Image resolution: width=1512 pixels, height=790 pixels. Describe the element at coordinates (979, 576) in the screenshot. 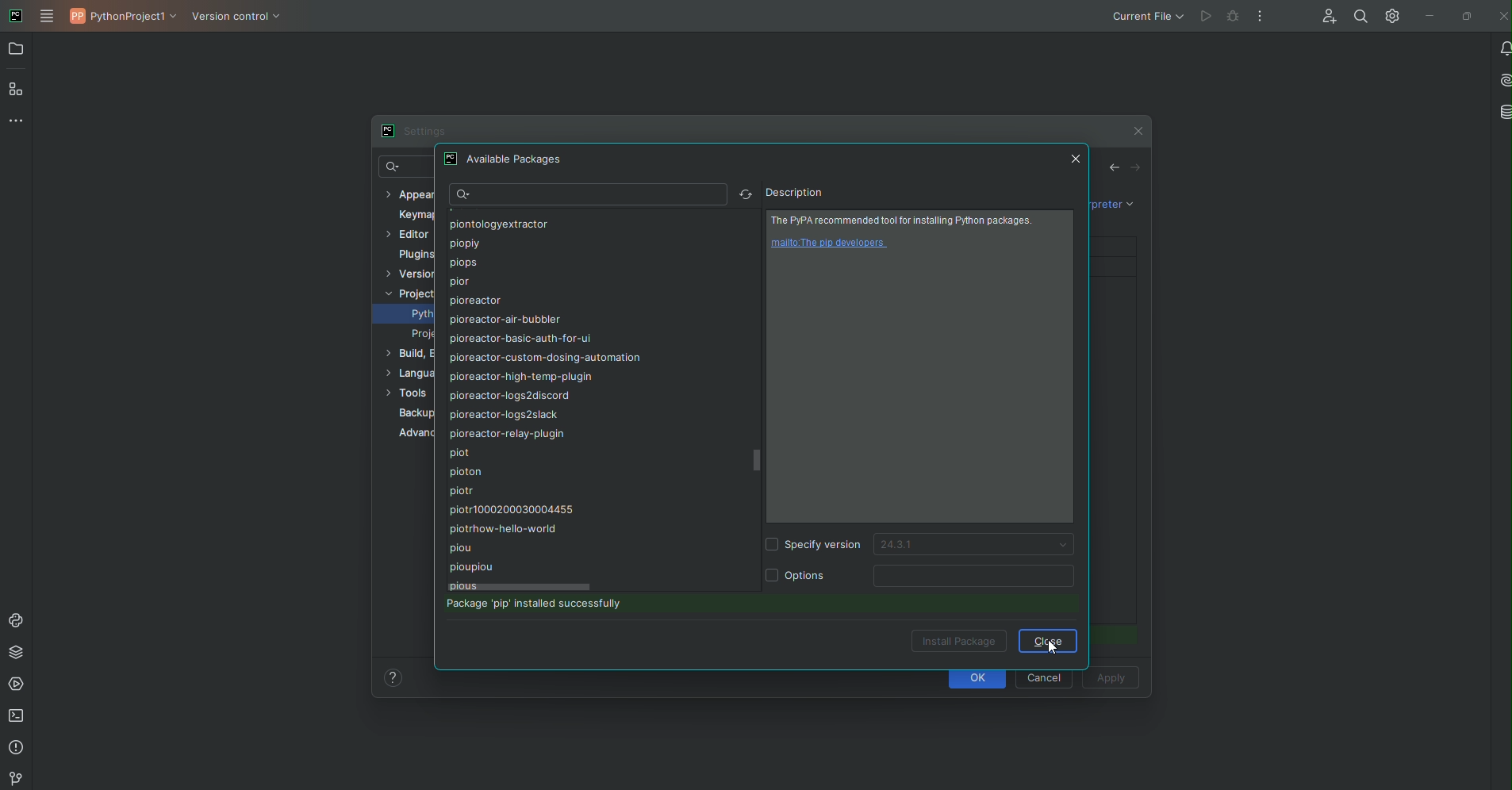

I see `Options bar` at that location.